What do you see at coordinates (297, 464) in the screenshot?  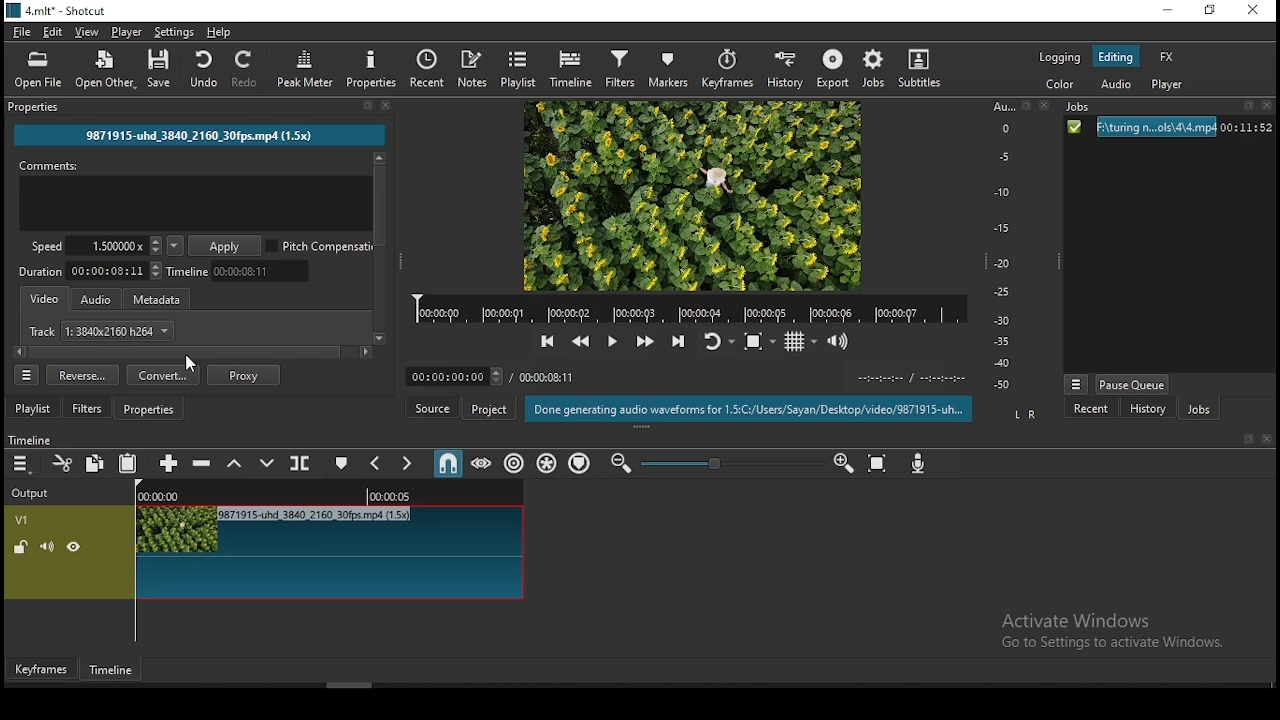 I see `split at playhead` at bounding box center [297, 464].